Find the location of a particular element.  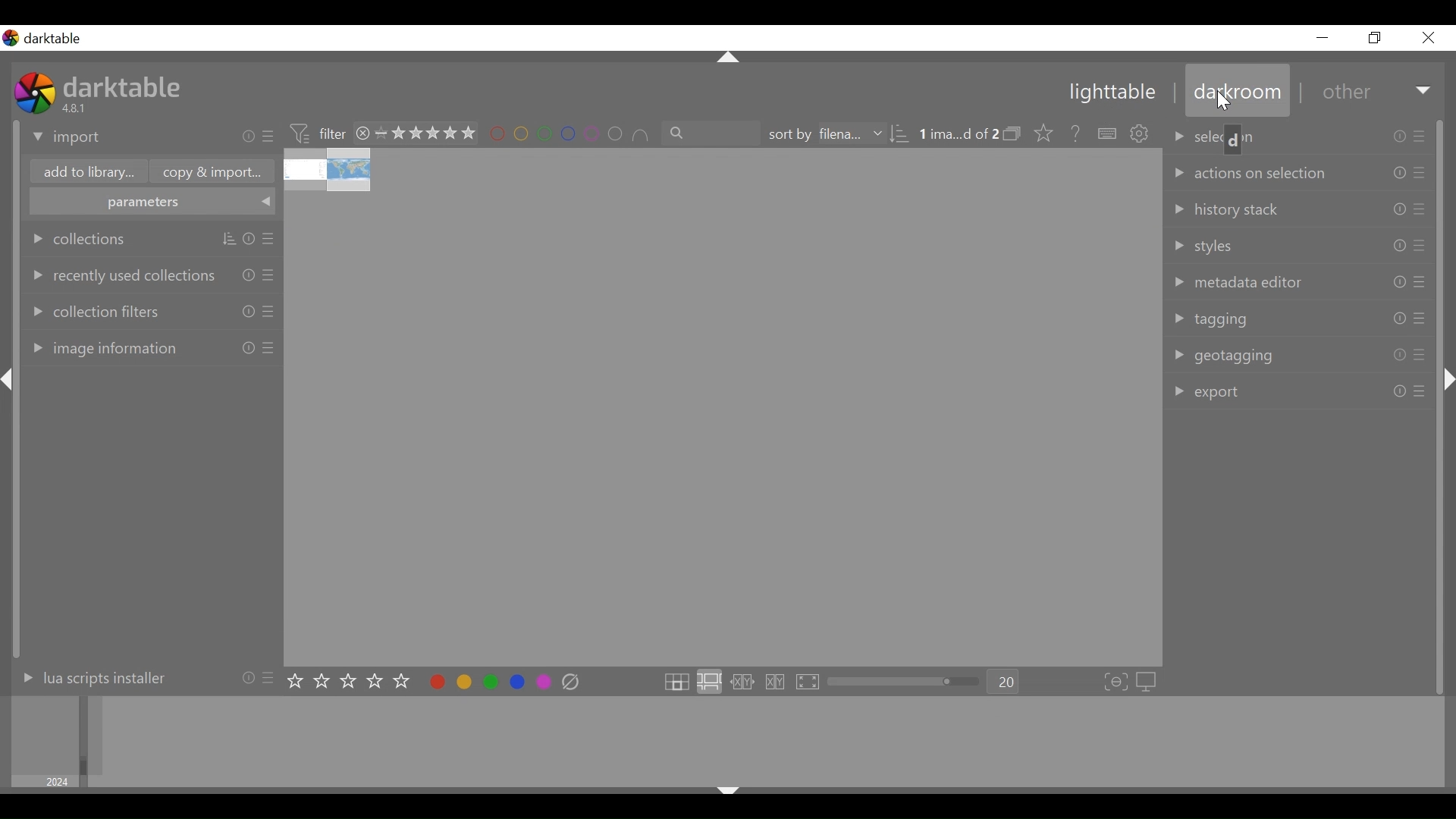

 is located at coordinates (1421, 211).